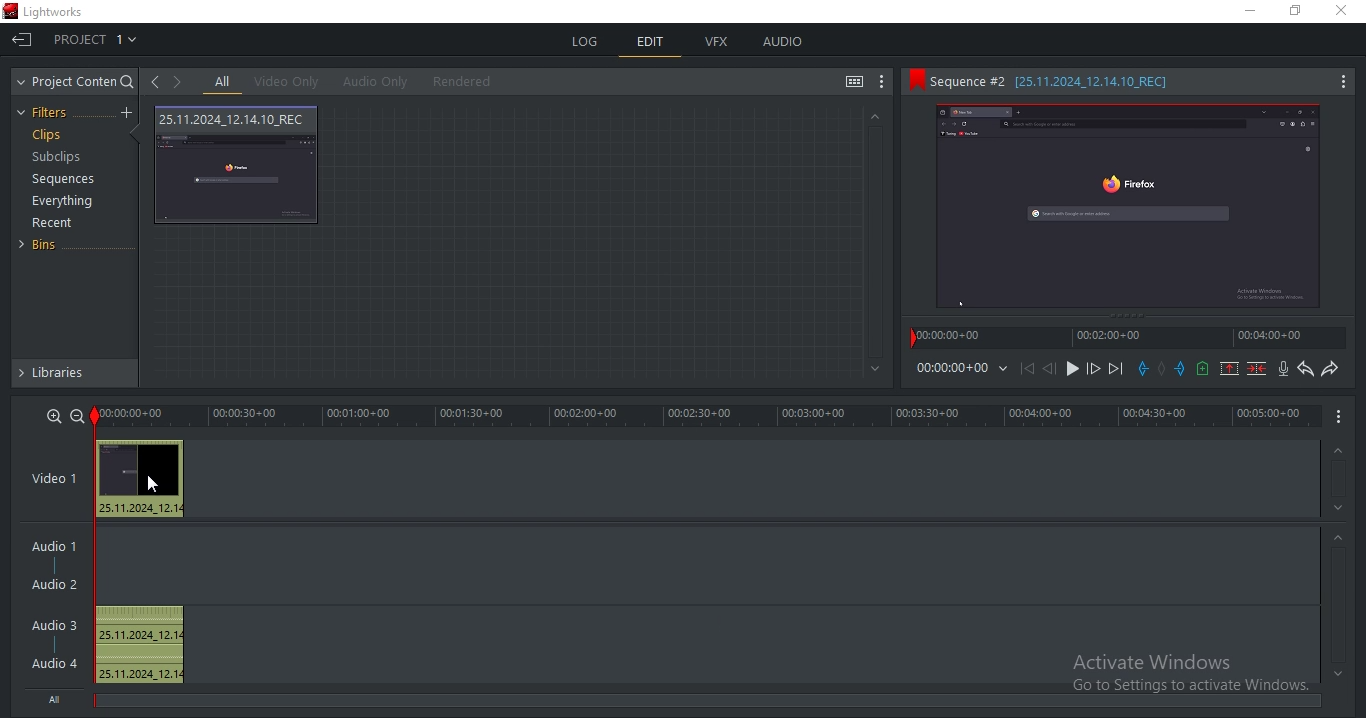 The height and width of the screenshot is (718, 1366). I want to click on time, so click(964, 371).